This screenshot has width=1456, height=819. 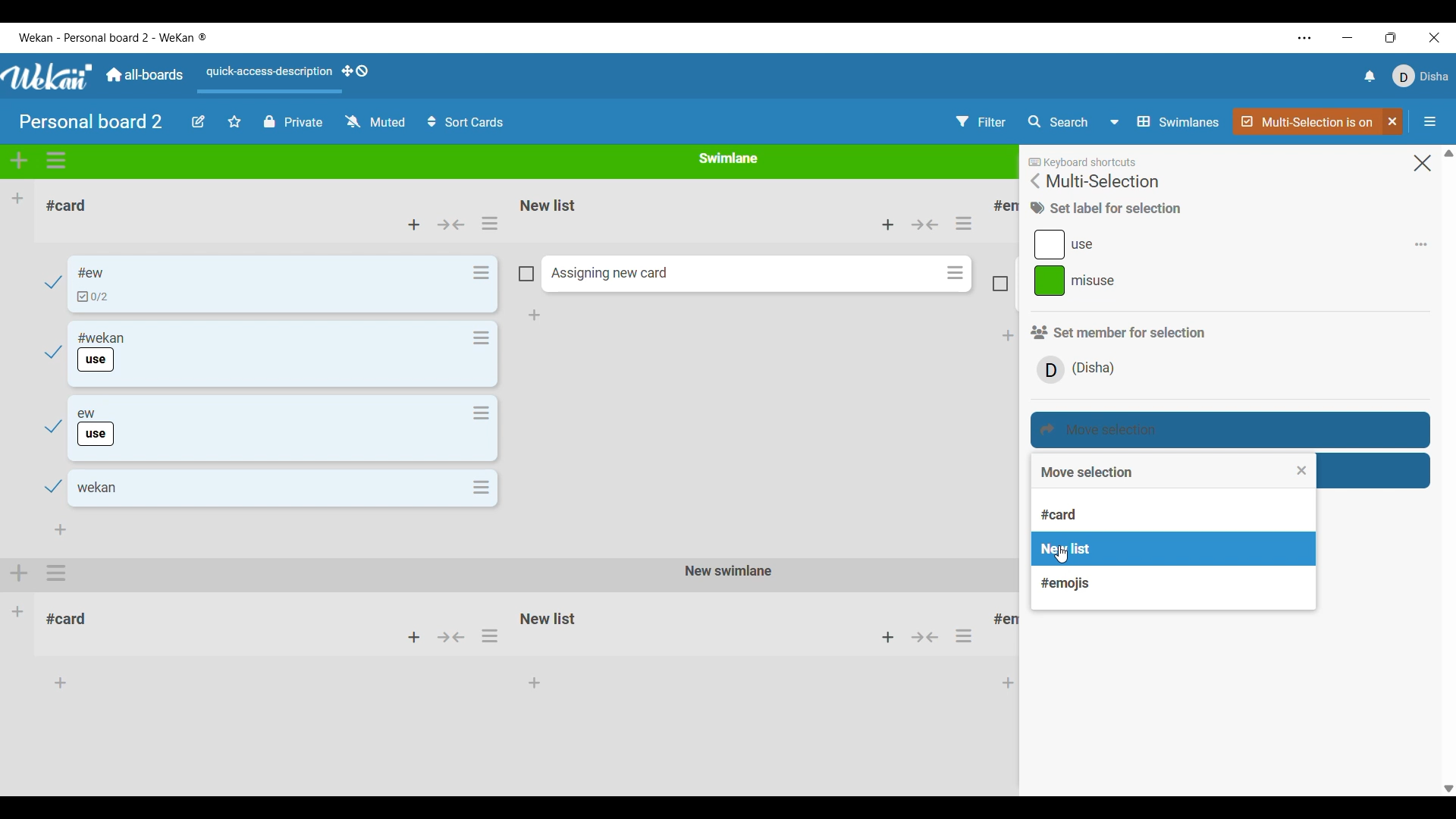 What do you see at coordinates (1304, 38) in the screenshot?
I see `Settings and more` at bounding box center [1304, 38].